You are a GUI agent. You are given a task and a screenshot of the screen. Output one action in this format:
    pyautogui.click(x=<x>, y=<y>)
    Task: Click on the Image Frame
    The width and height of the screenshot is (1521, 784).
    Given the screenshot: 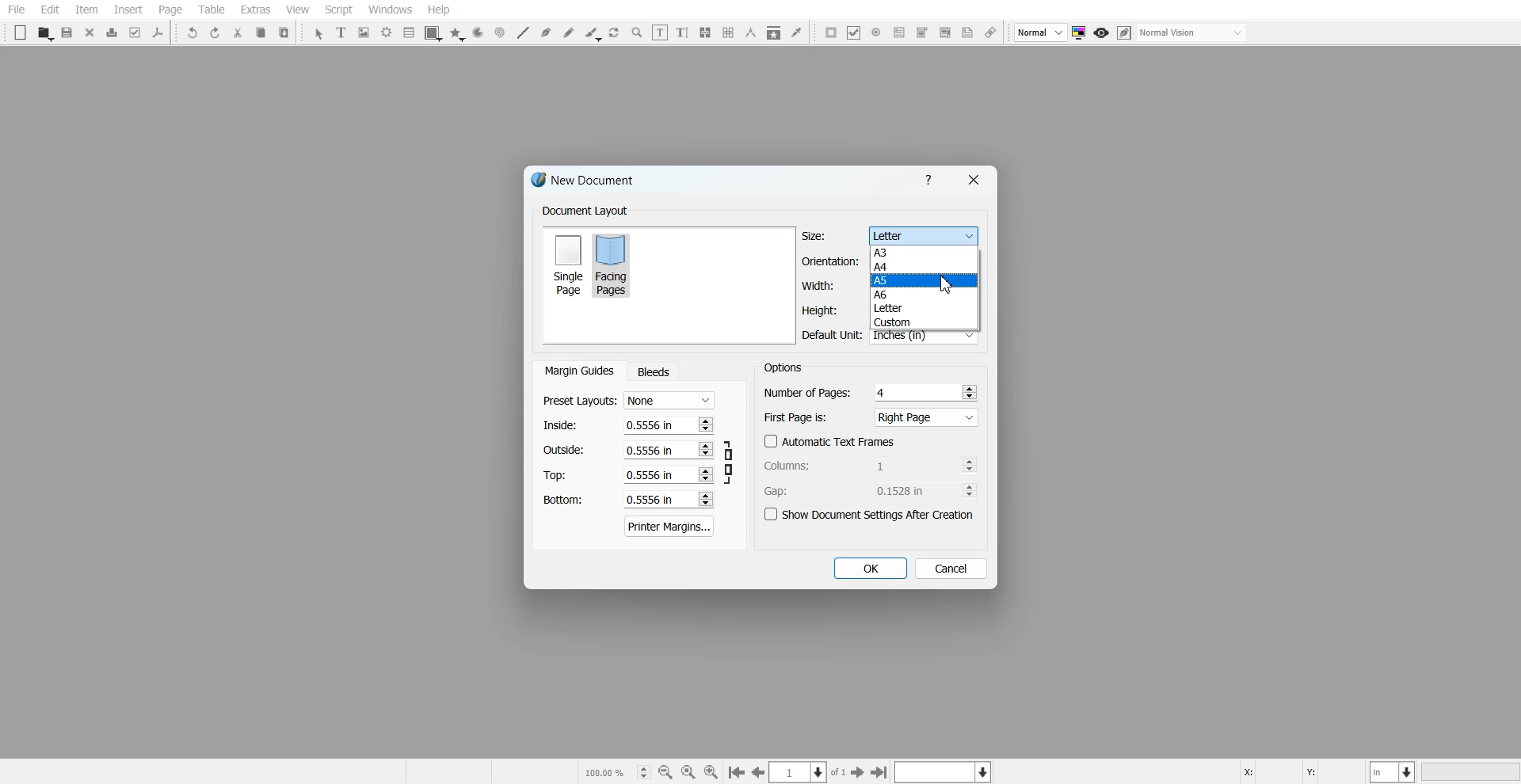 What is the action you would take?
    pyautogui.click(x=364, y=32)
    